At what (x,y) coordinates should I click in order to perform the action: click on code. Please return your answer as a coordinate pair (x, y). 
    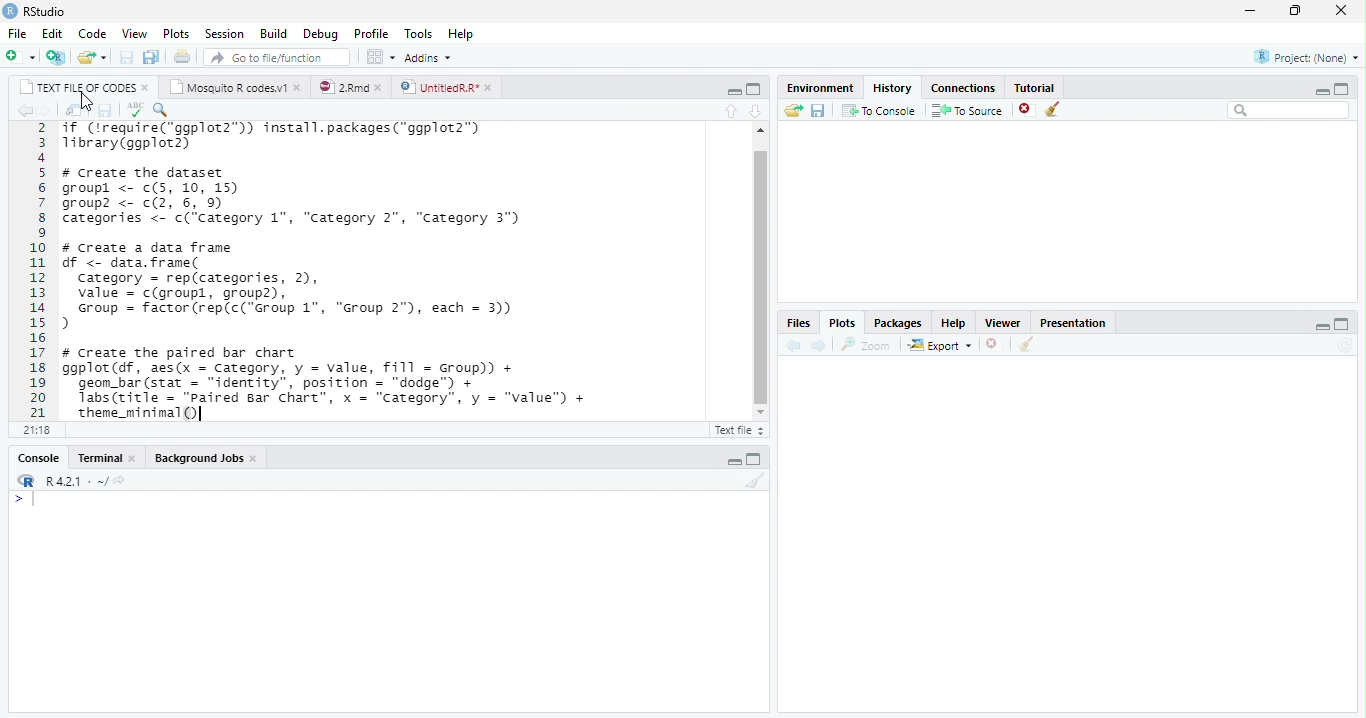
    Looking at the image, I should click on (89, 32).